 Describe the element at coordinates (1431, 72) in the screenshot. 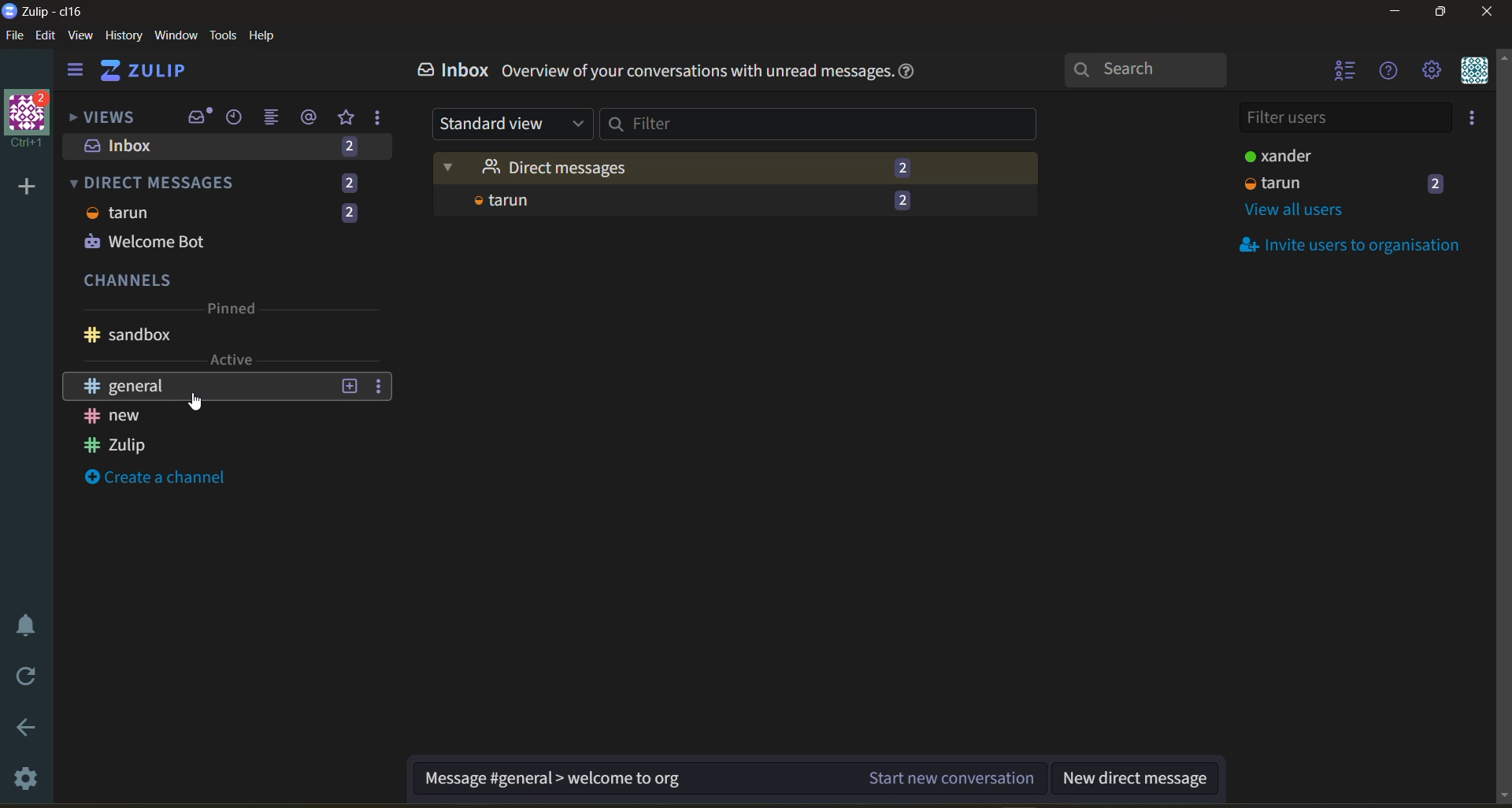

I see `settings menu` at that location.